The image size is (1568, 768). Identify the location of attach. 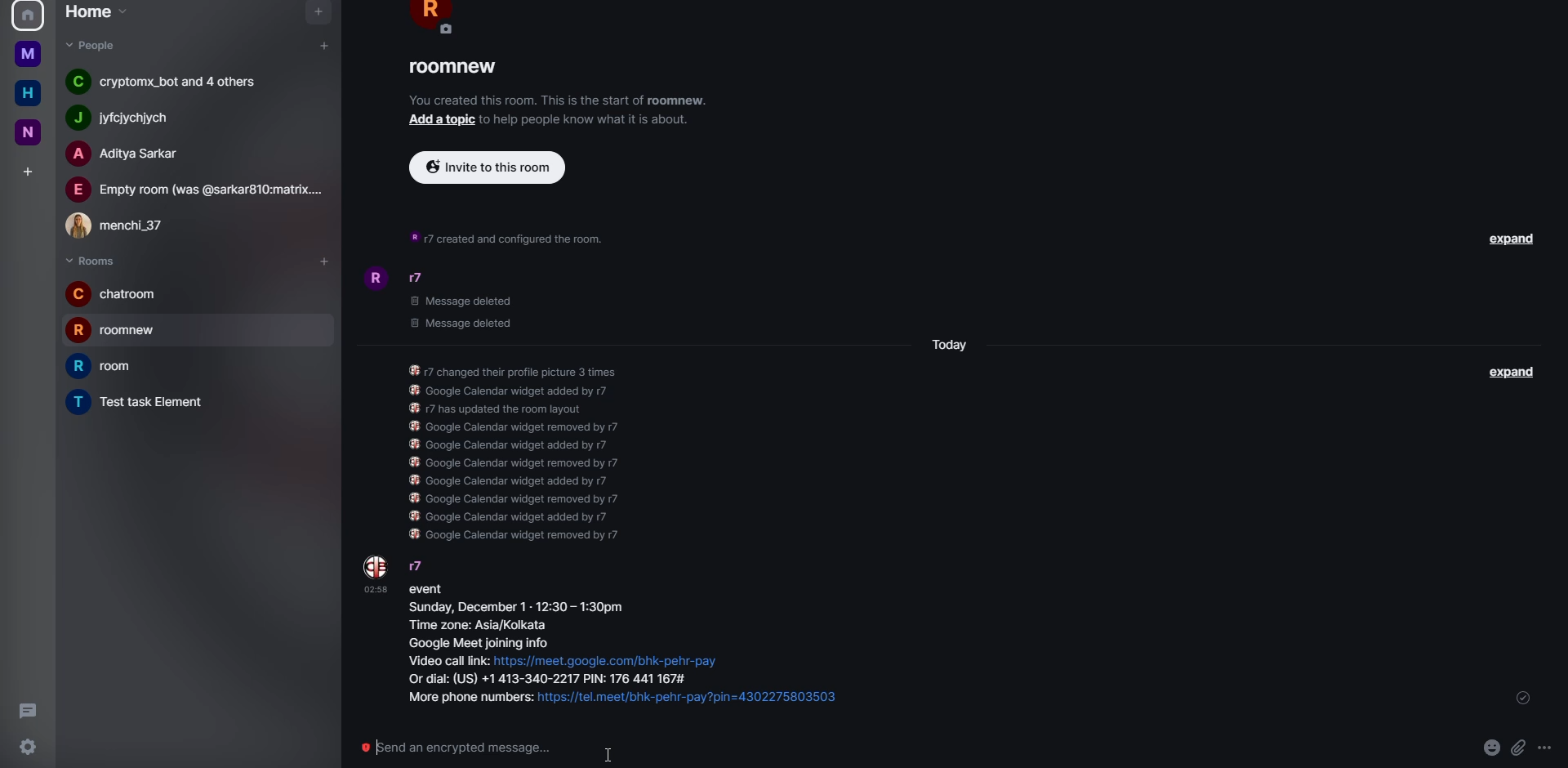
(1521, 745).